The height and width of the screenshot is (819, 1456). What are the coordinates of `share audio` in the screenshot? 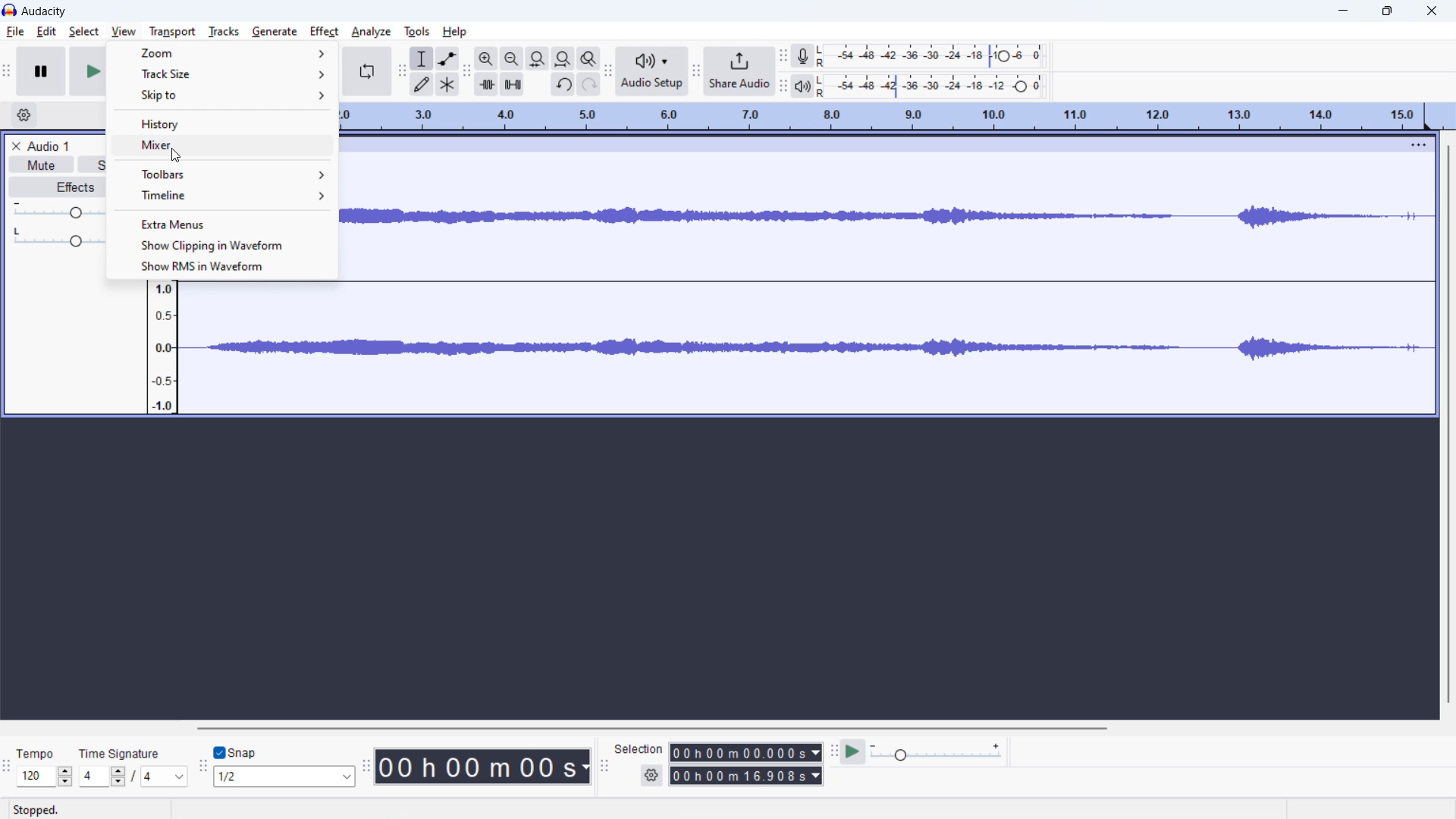 It's located at (739, 71).